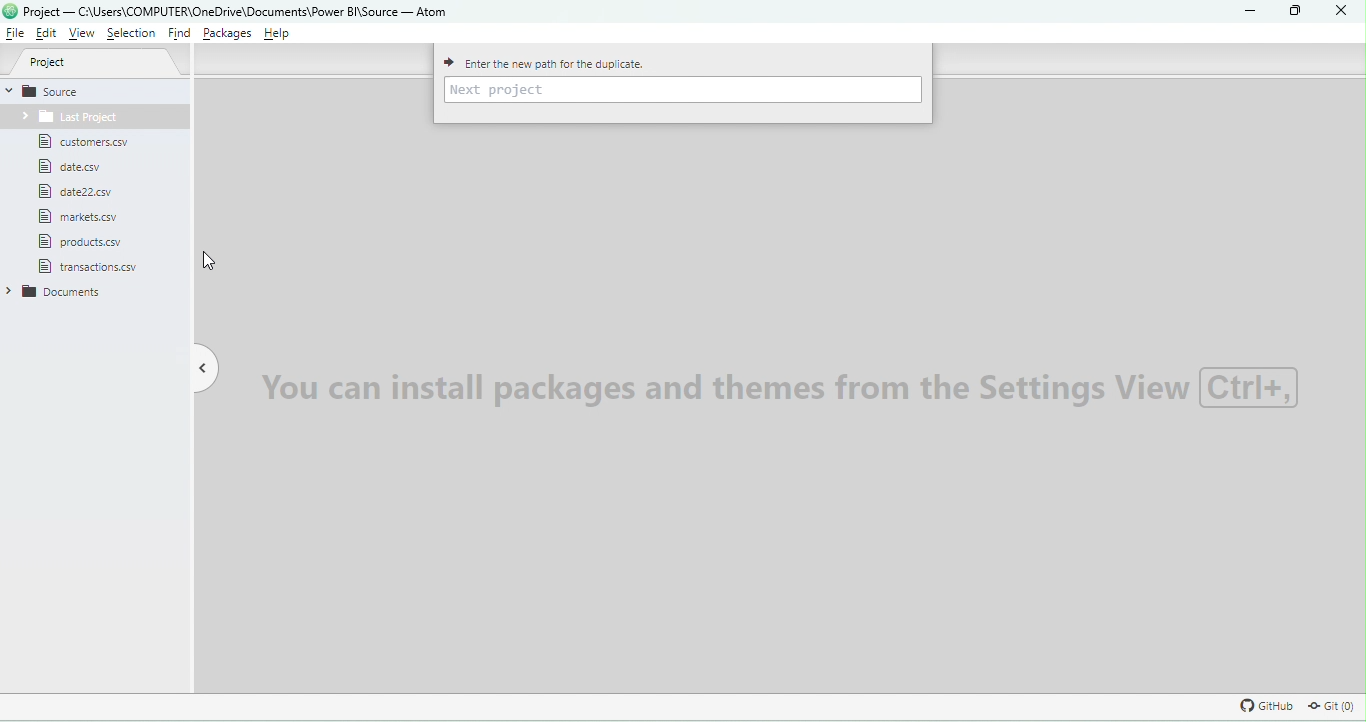 This screenshot has height=722, width=1366. I want to click on Maximize, so click(1291, 13).